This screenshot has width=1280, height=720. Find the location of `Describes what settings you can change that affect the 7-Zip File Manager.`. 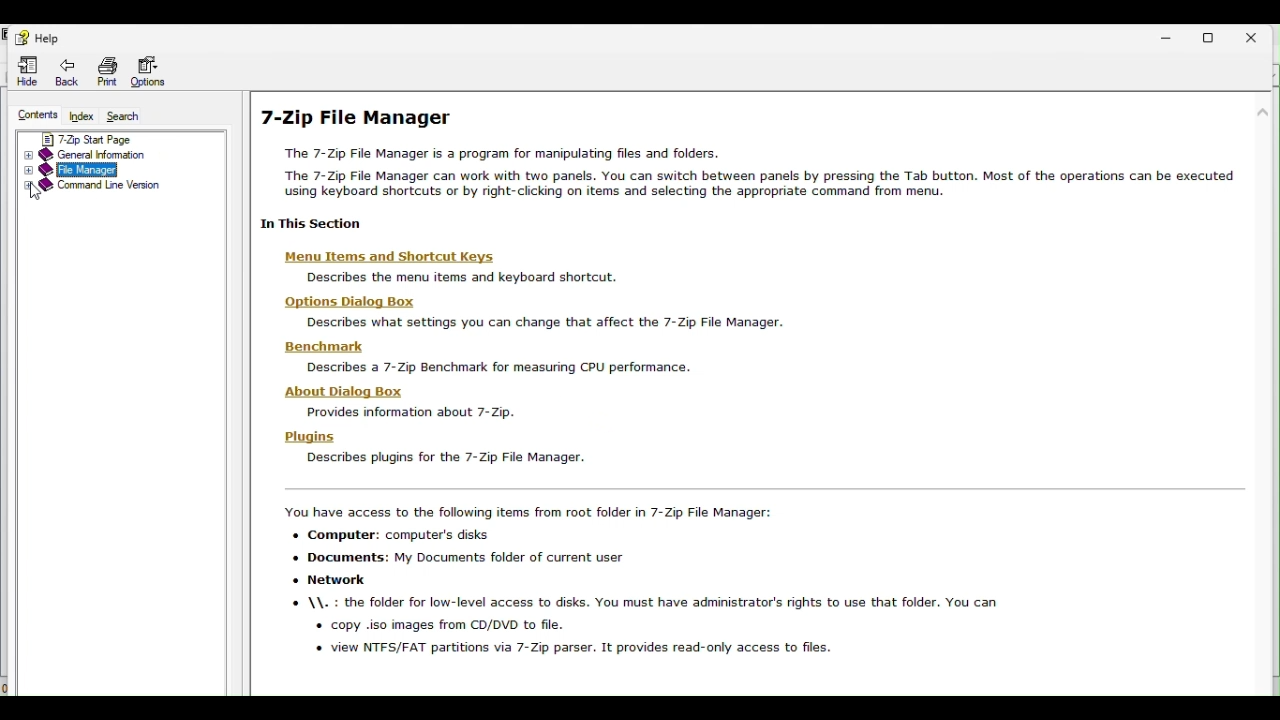

Describes what settings you can change that affect the 7-Zip File Manager. is located at coordinates (539, 323).